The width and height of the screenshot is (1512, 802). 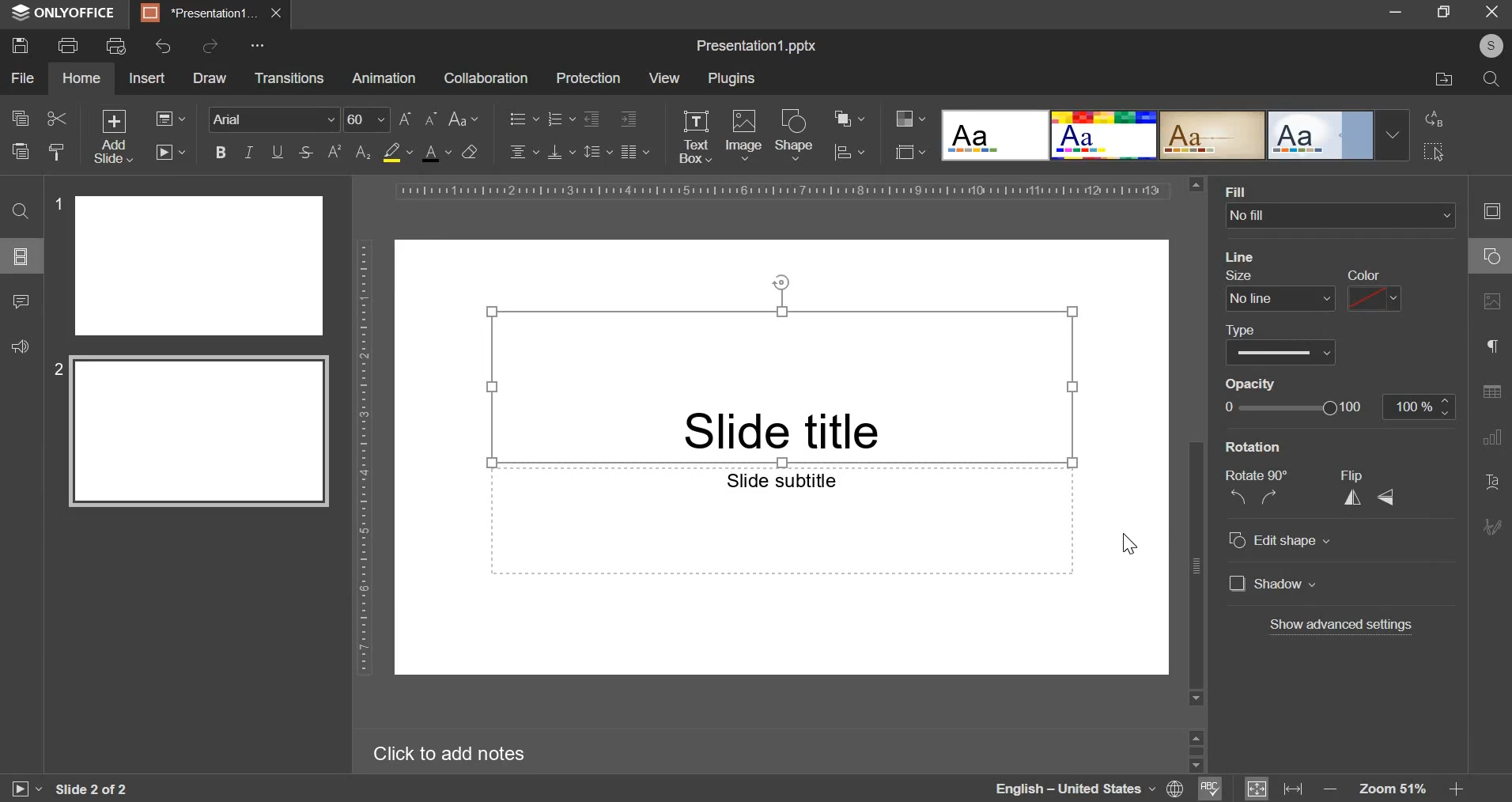 I want to click on text art settings, so click(x=1490, y=479).